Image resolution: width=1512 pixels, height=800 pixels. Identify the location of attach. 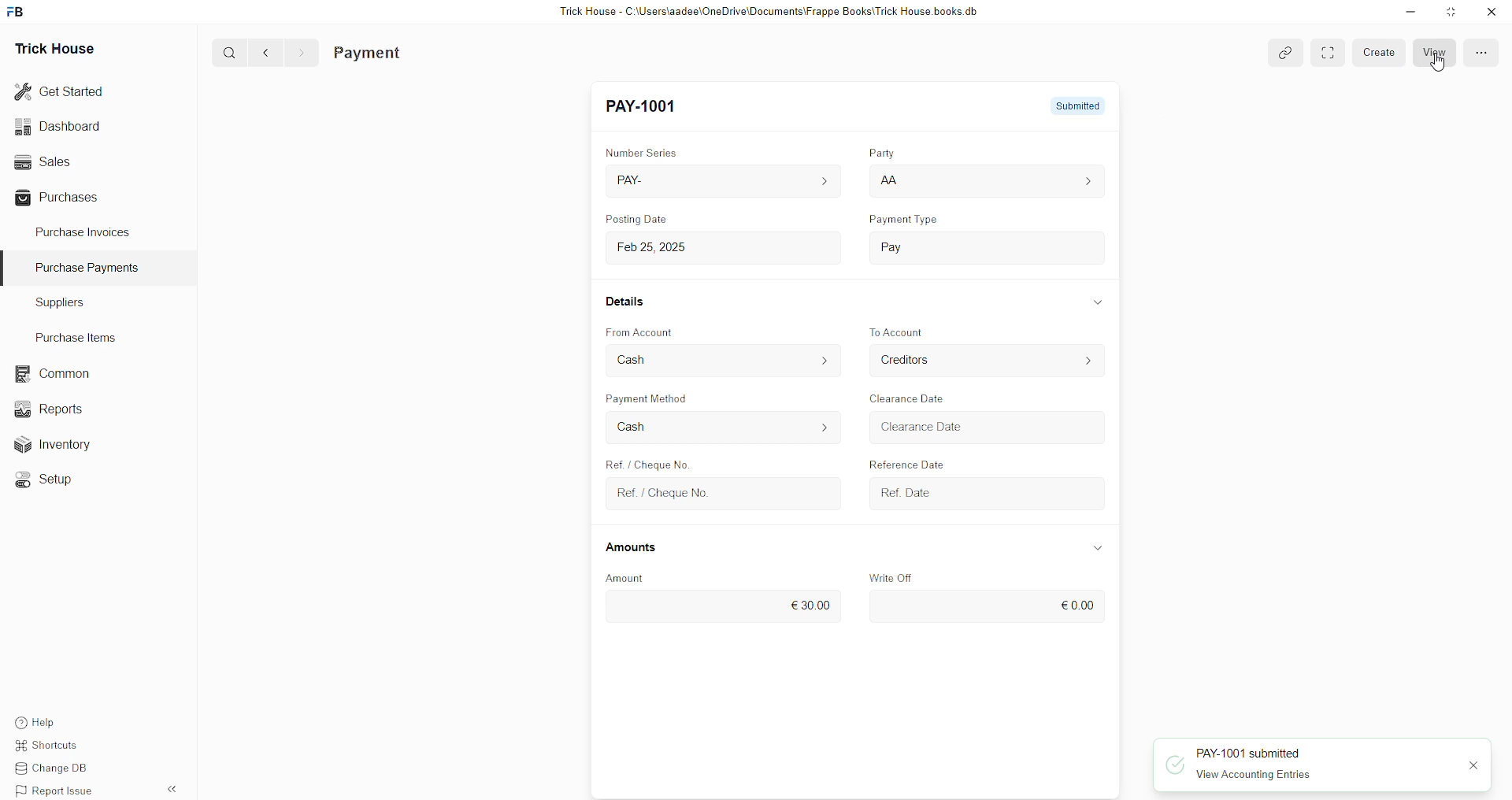
(1280, 50).